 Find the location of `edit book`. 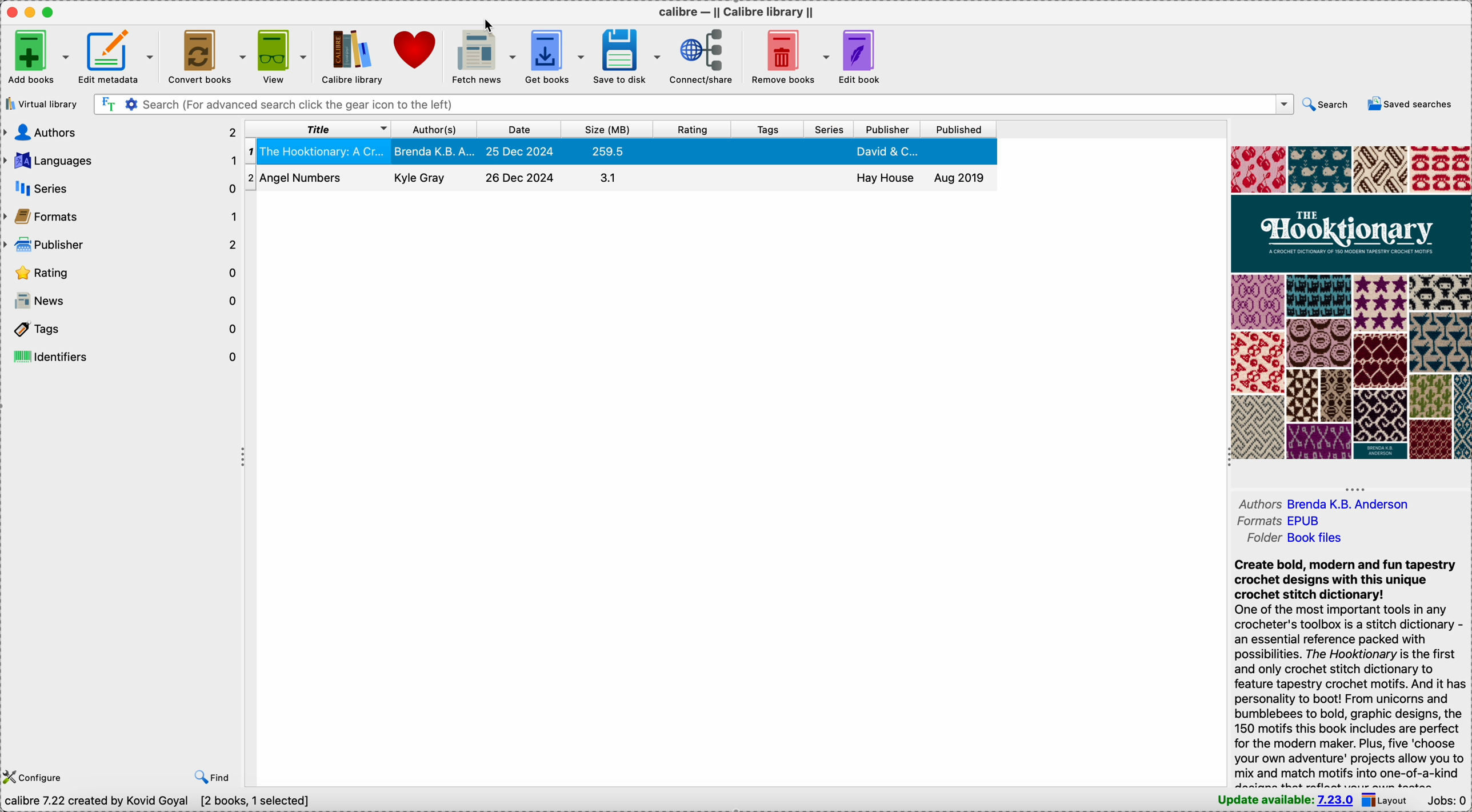

edit book is located at coordinates (865, 58).